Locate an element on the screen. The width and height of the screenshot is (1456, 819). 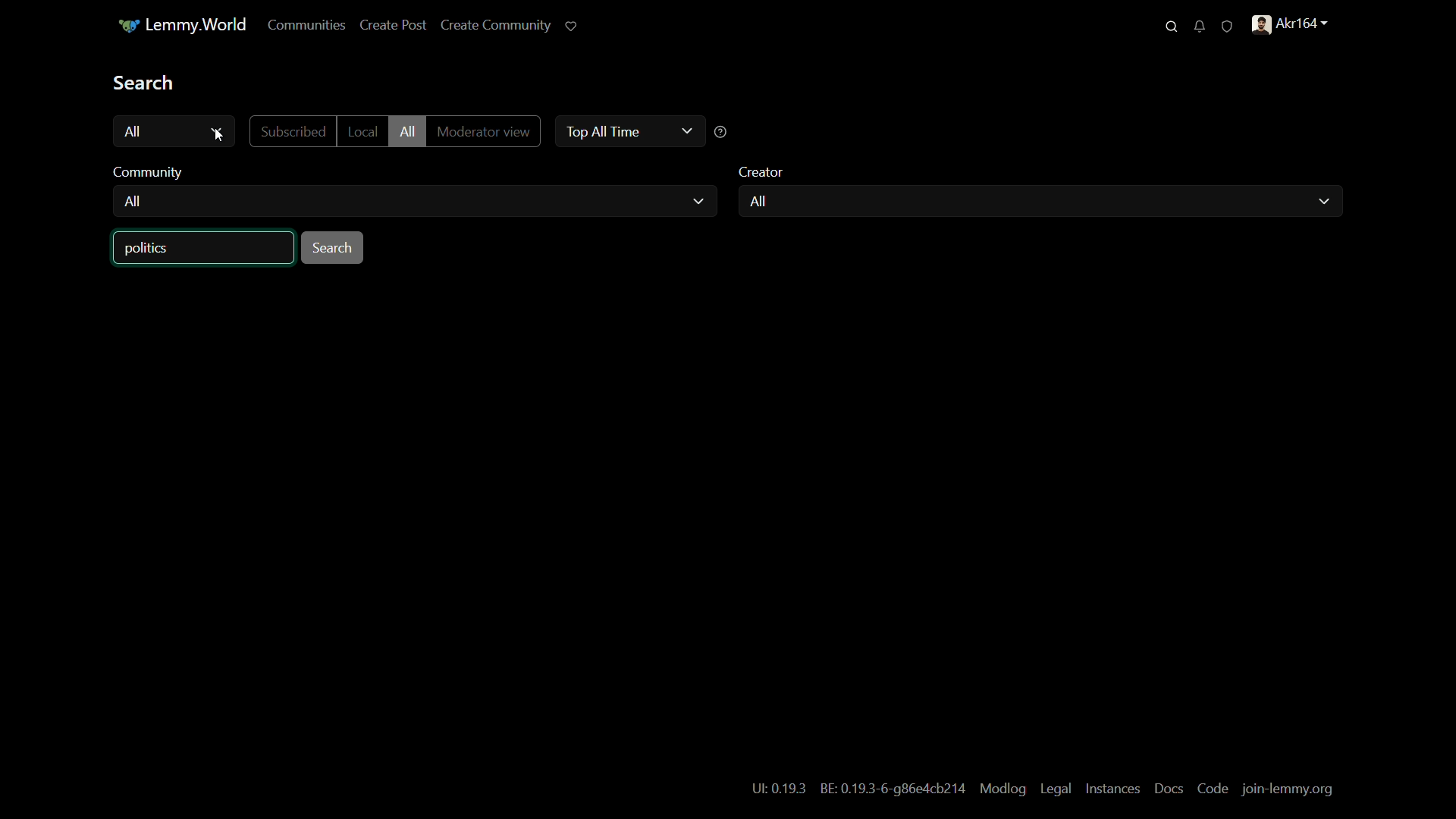
unread notifications is located at coordinates (1199, 26).